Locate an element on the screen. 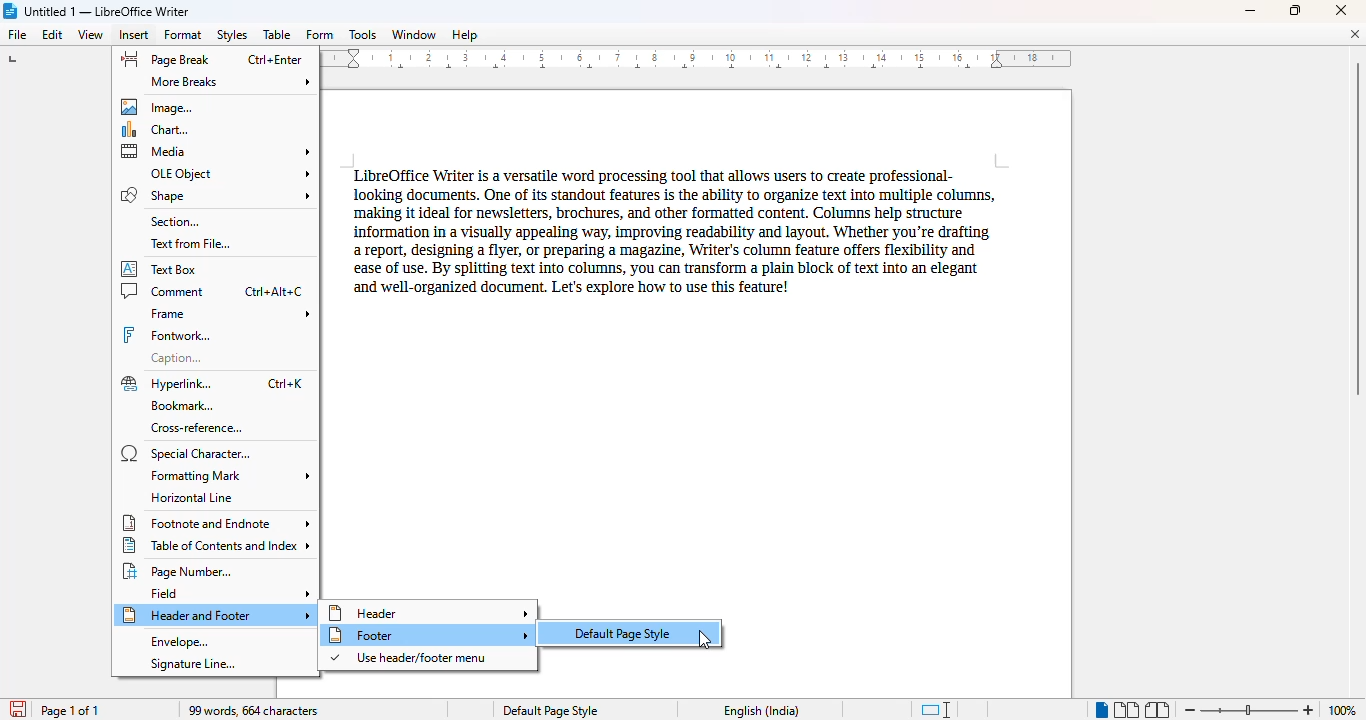 The height and width of the screenshot is (720, 1366). shape is located at coordinates (215, 195).